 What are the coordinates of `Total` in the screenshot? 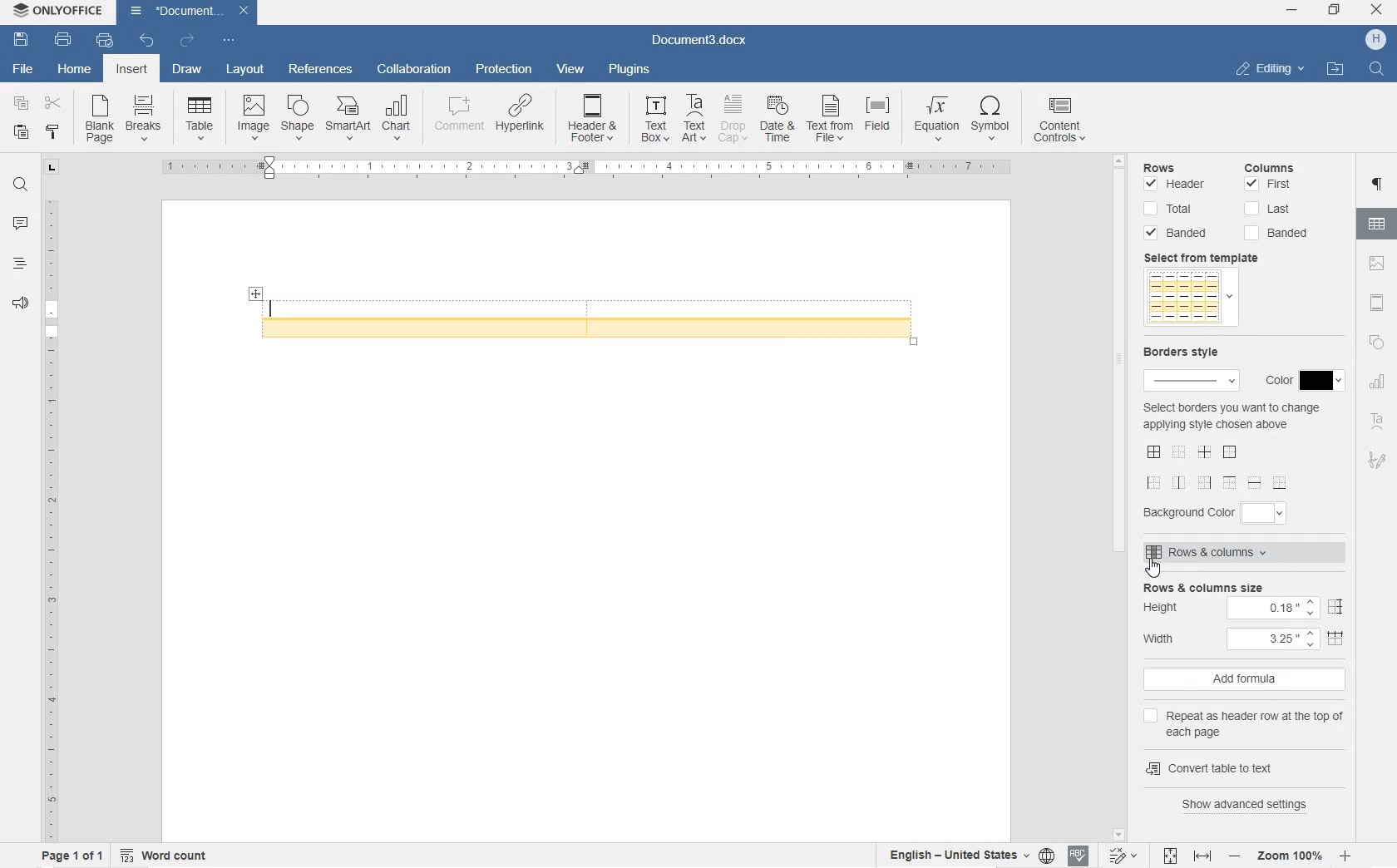 It's located at (1171, 210).